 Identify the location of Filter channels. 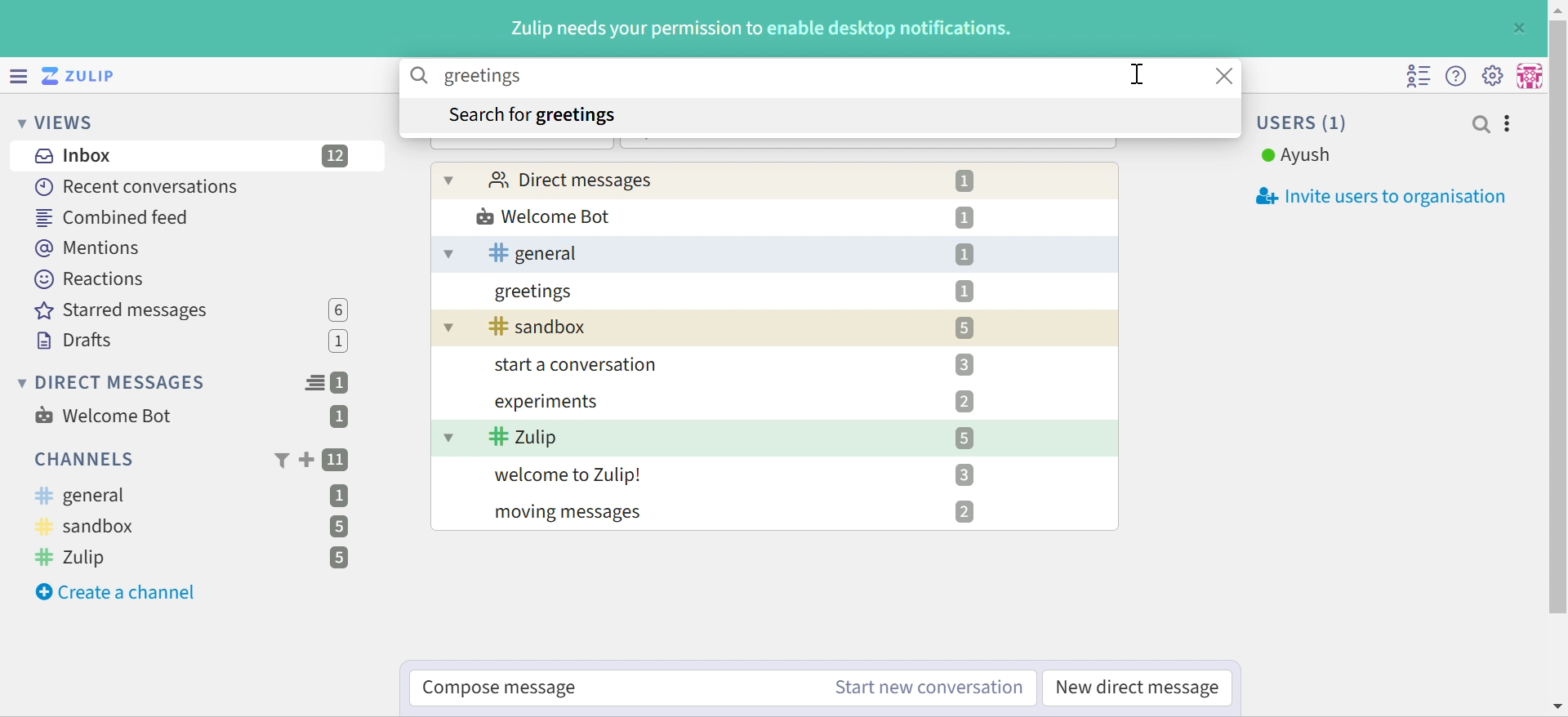
(280, 461).